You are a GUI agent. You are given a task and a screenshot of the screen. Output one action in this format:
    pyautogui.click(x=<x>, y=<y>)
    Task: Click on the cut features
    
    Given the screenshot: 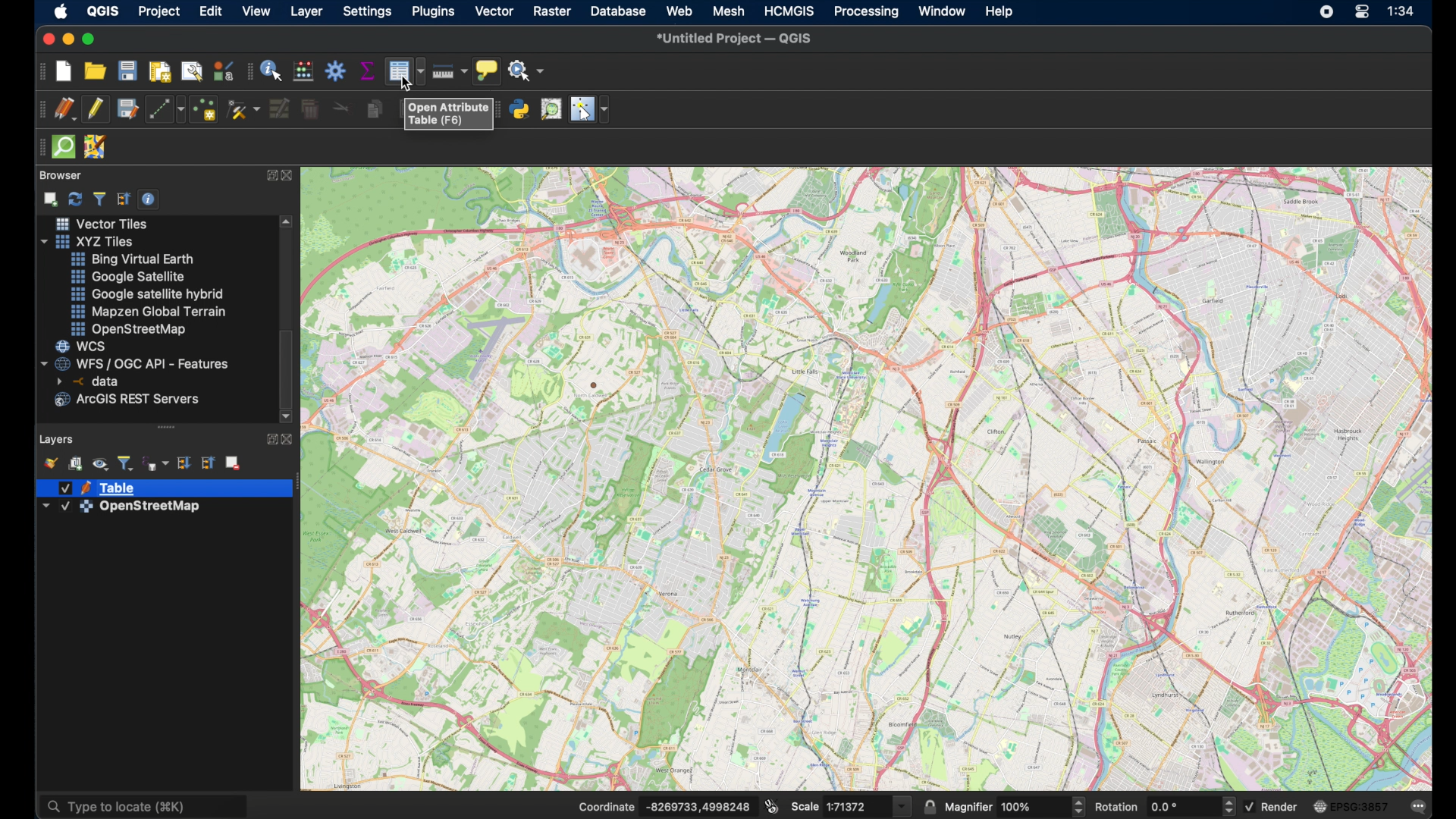 What is the action you would take?
    pyautogui.click(x=340, y=107)
    